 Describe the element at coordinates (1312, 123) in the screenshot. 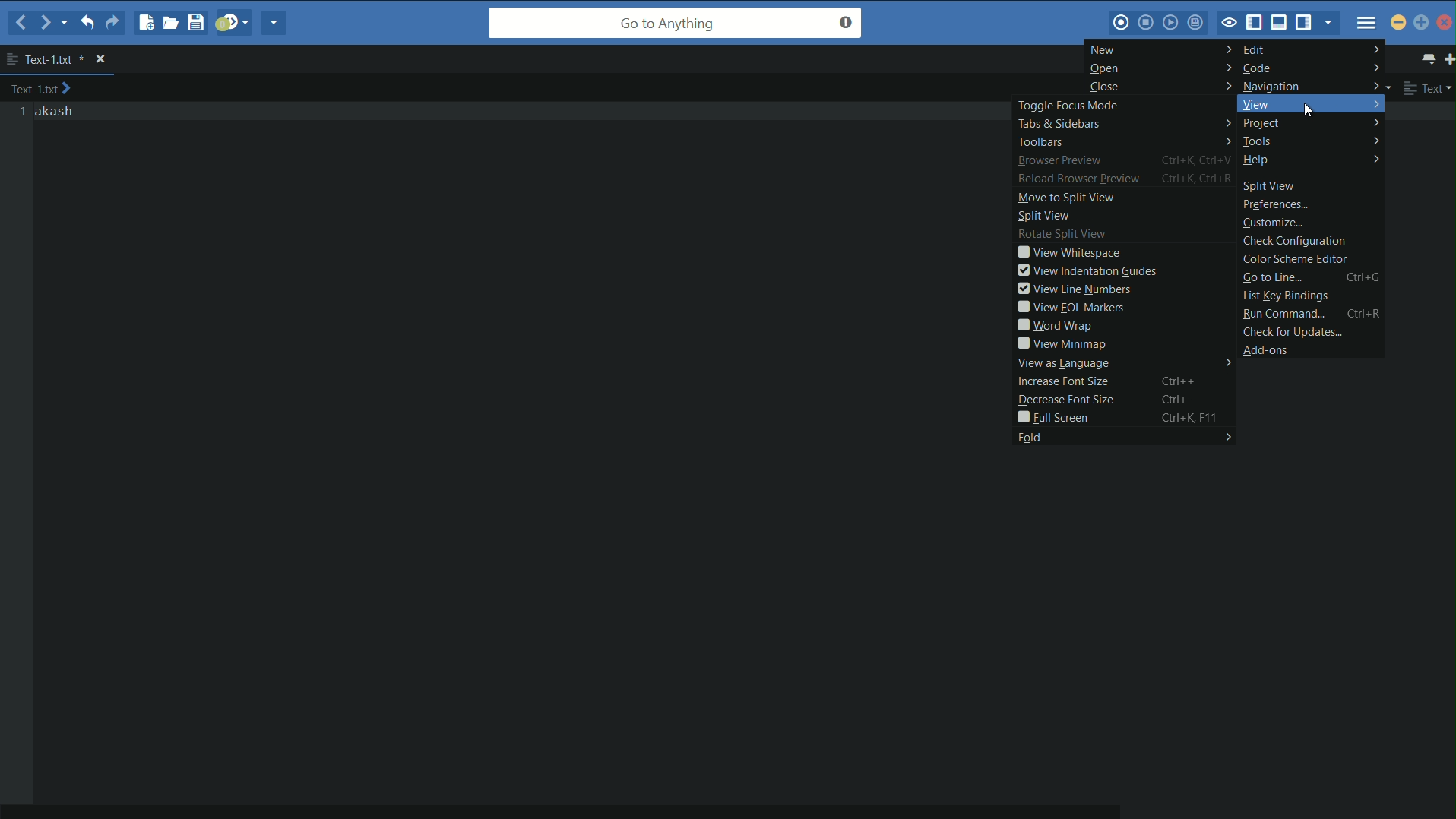

I see `project` at that location.